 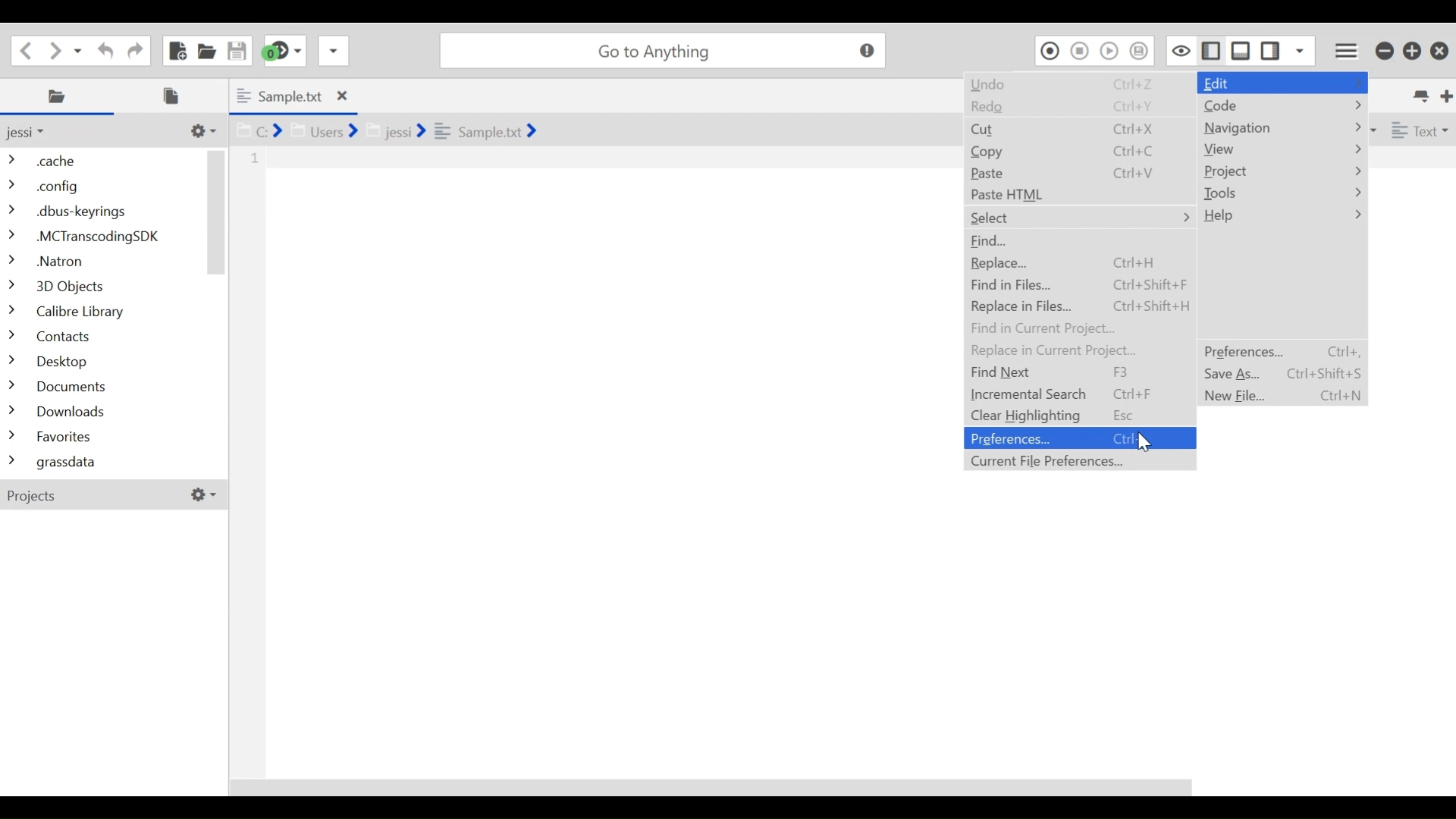 I want to click on Save Macro as Toolbox as Superscript, so click(x=1141, y=50).